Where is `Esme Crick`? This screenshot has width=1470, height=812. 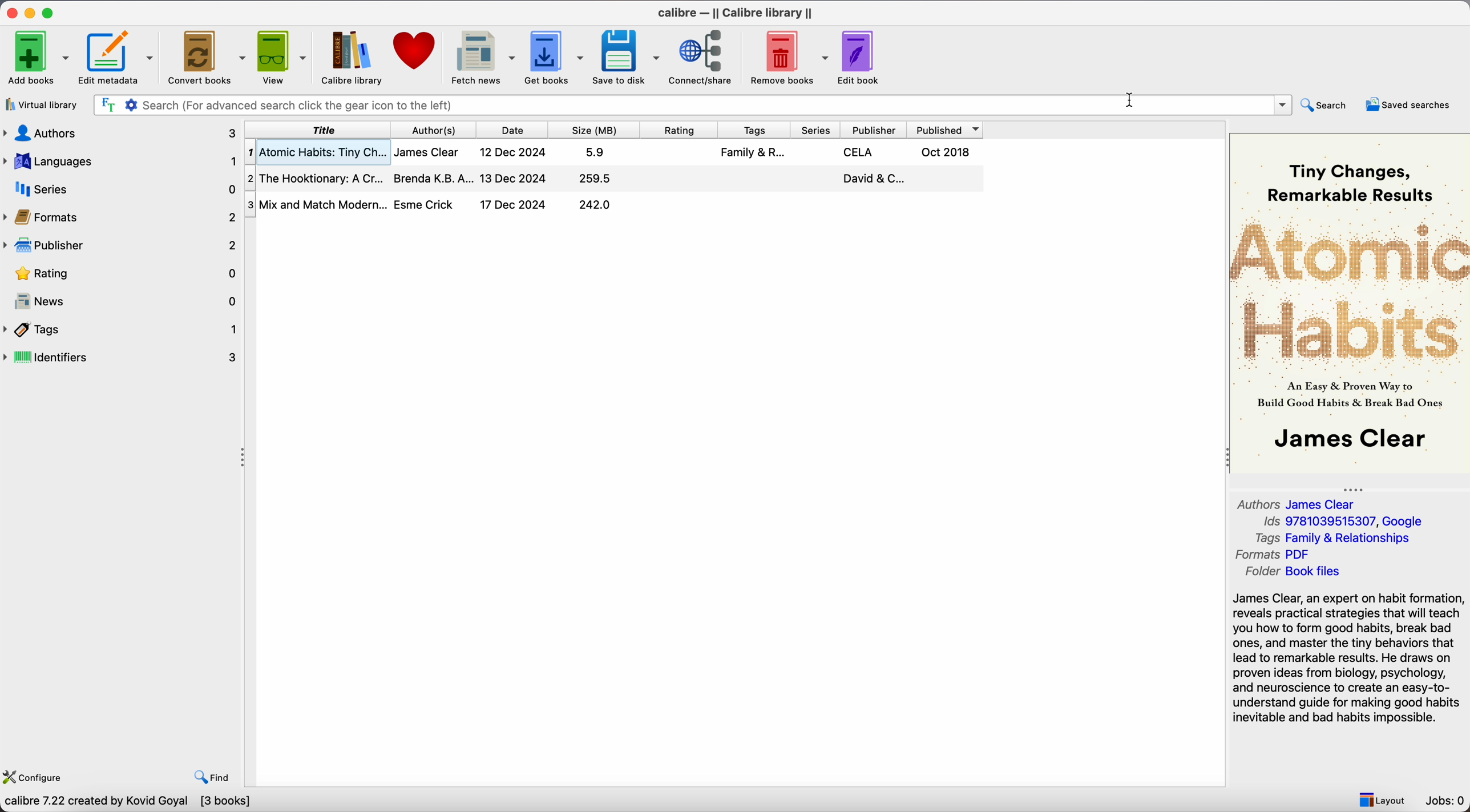
Esme Crick is located at coordinates (423, 204).